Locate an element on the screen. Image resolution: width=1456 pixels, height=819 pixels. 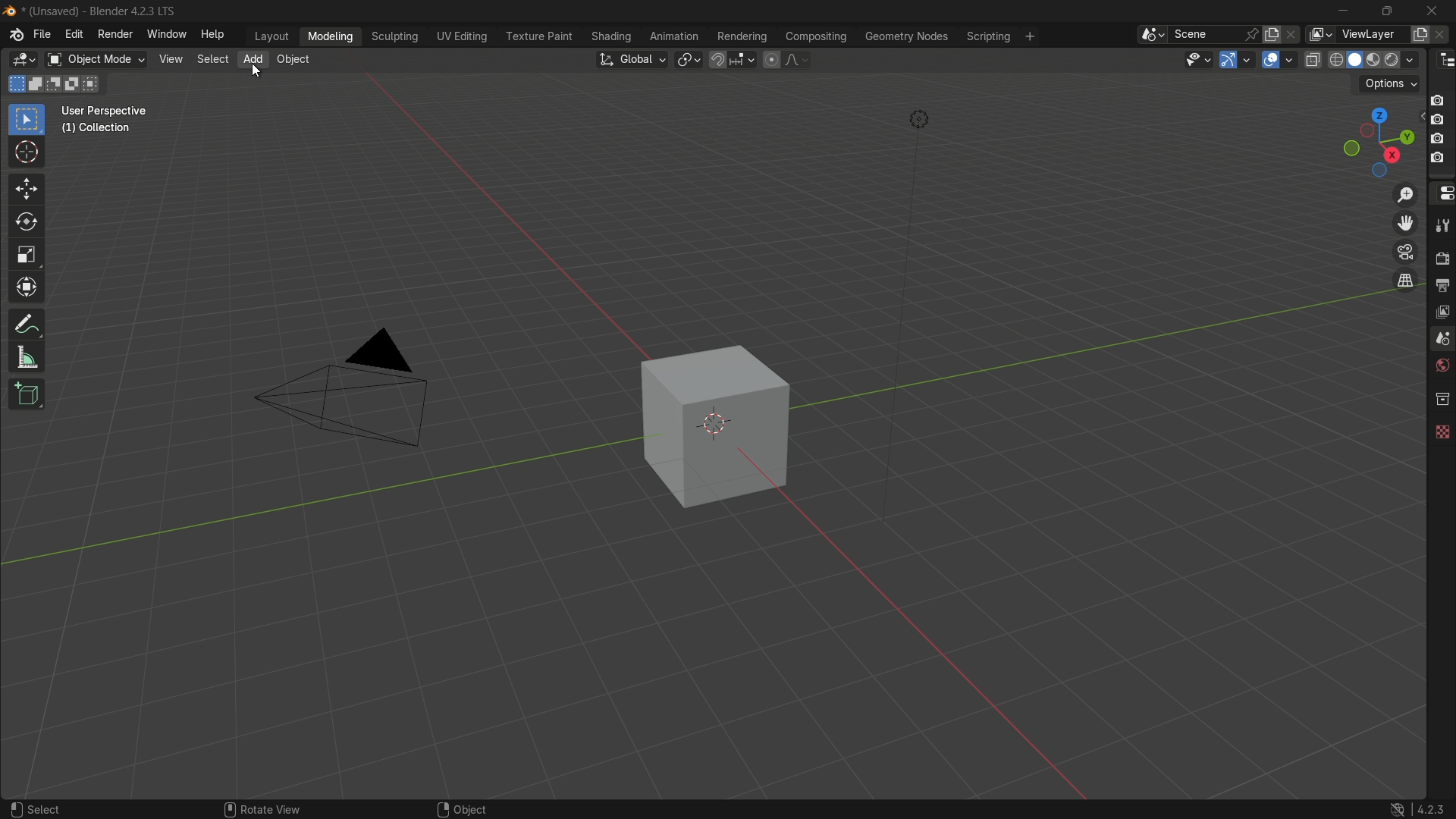
file menu is located at coordinates (43, 35).